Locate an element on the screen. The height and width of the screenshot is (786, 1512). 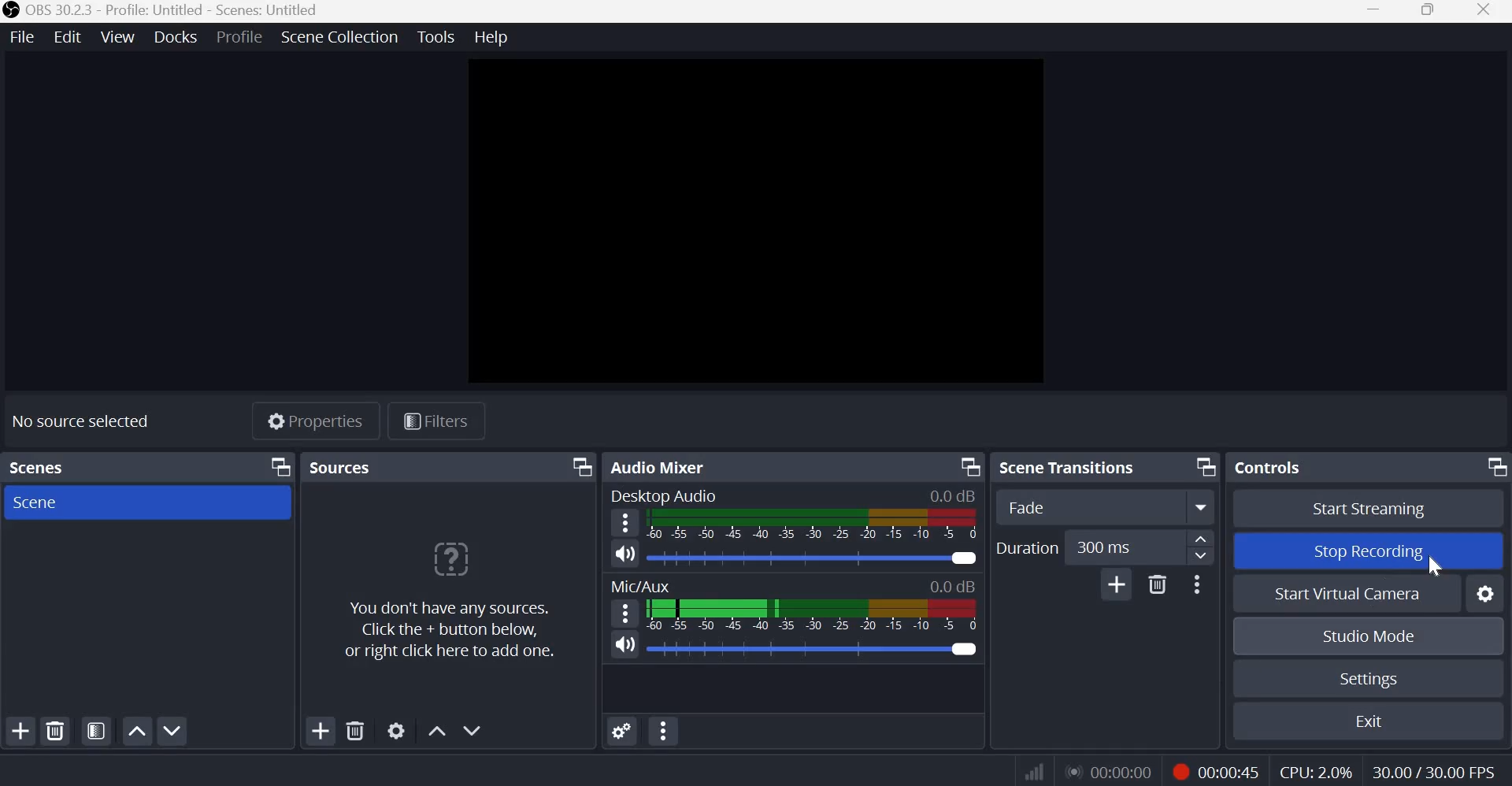
Studio mode is located at coordinates (1368, 636).